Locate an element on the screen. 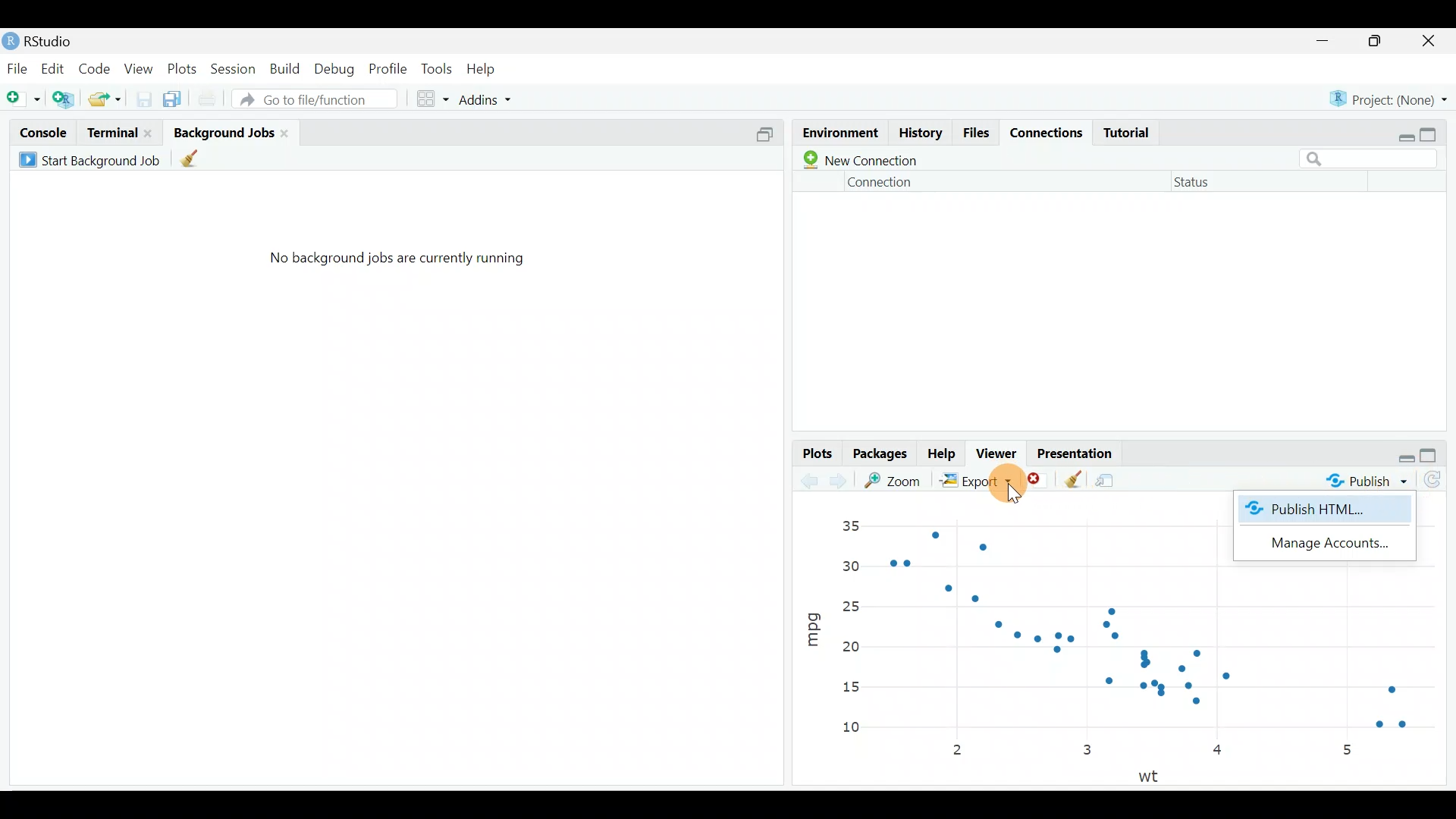 This screenshot has width=1456, height=819. Profile is located at coordinates (390, 68).